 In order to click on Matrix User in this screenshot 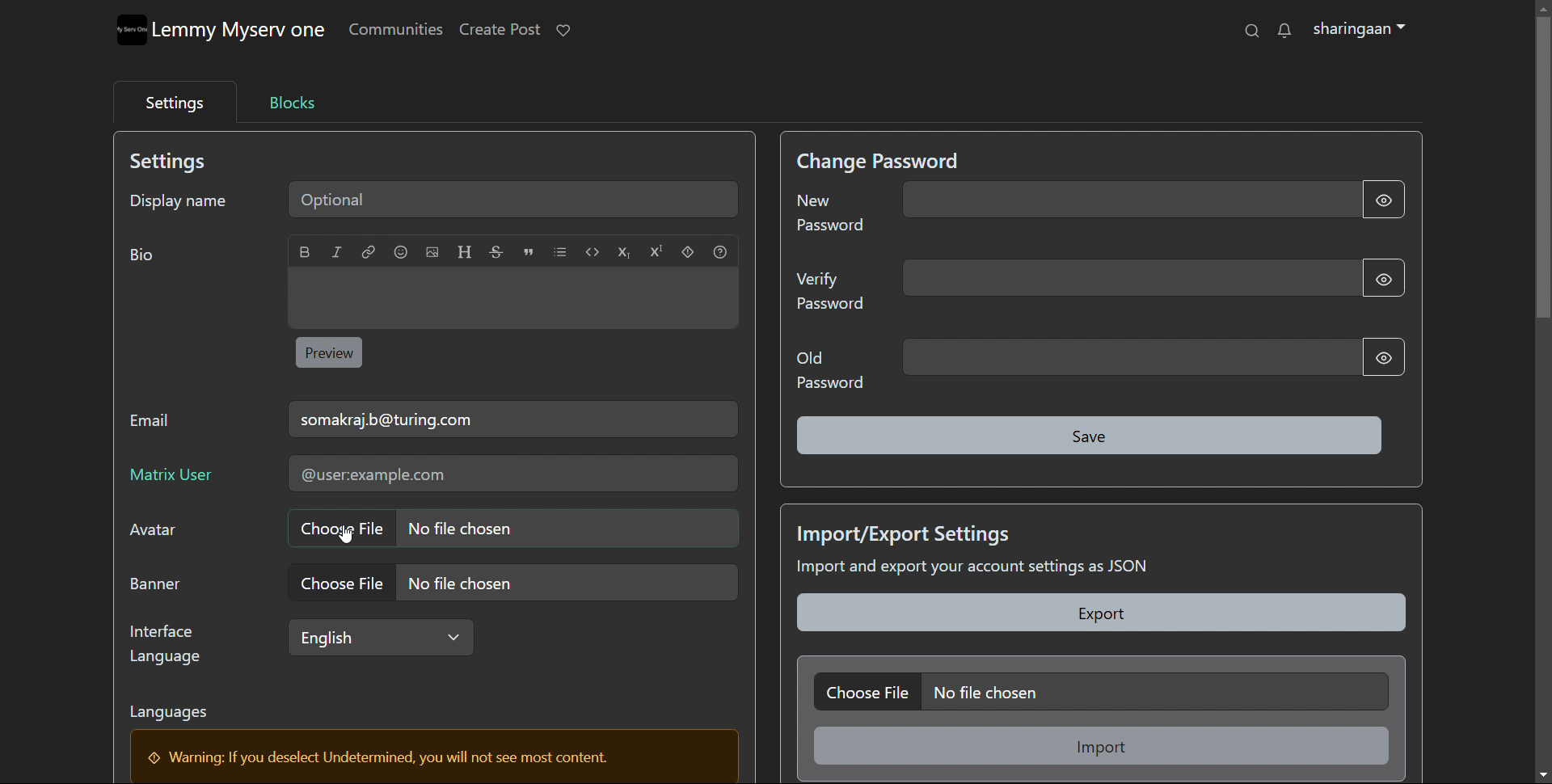, I will do `click(176, 478)`.